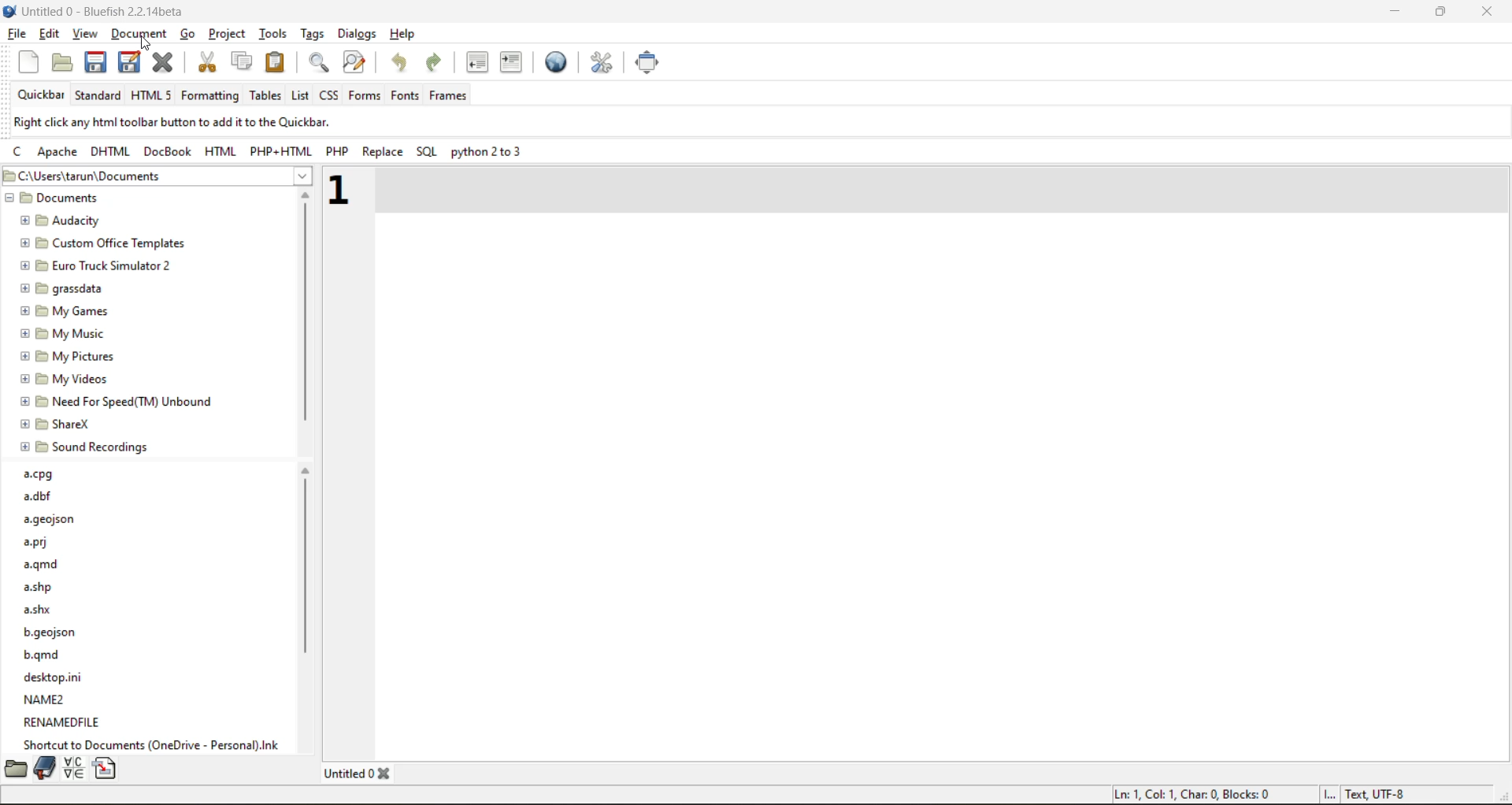 This screenshot has height=805, width=1512. Describe the element at coordinates (65, 311) in the screenshot. I see `my games` at that location.